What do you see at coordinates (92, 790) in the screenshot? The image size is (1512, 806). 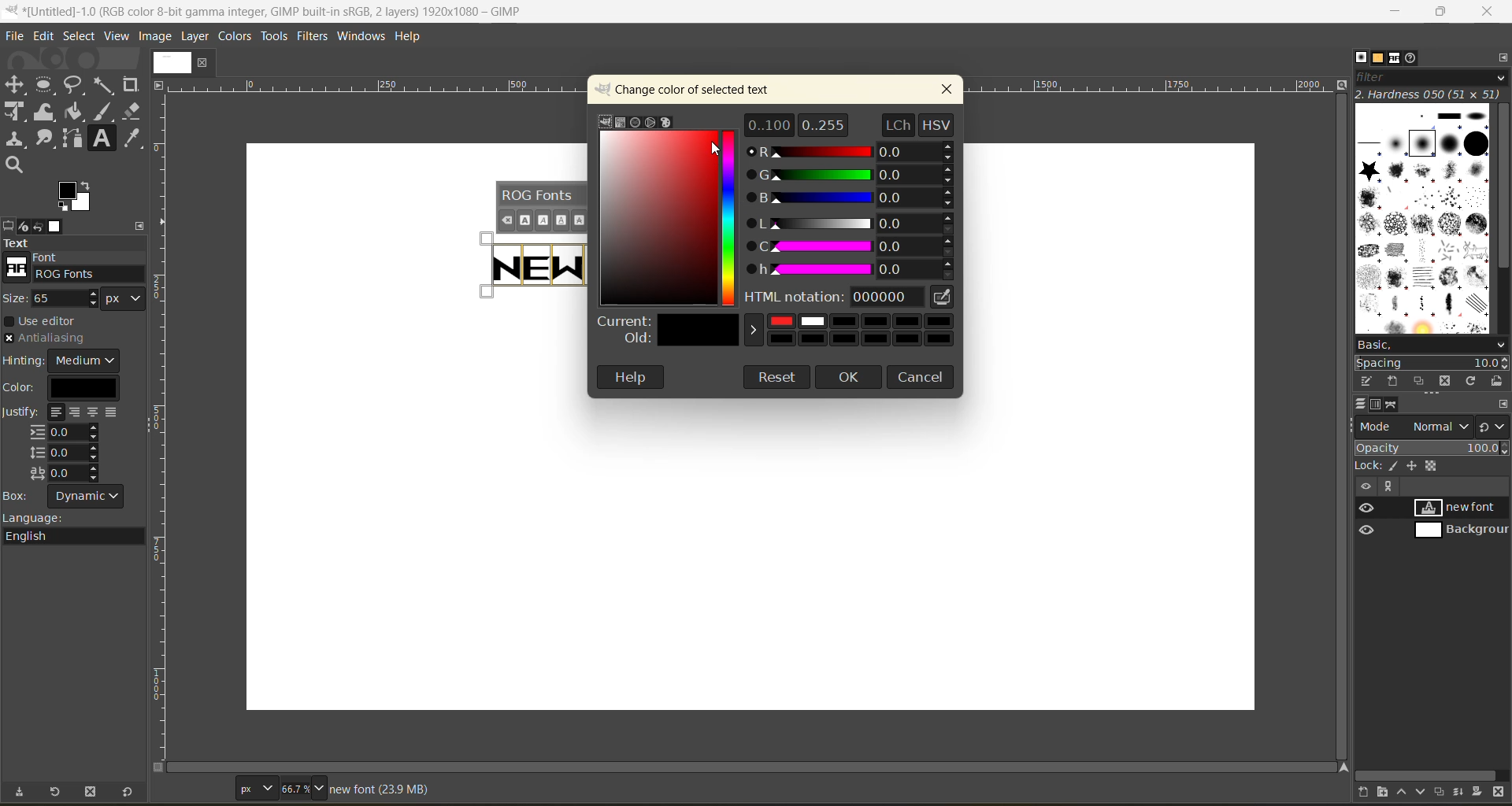 I see `delete tool preset` at bounding box center [92, 790].